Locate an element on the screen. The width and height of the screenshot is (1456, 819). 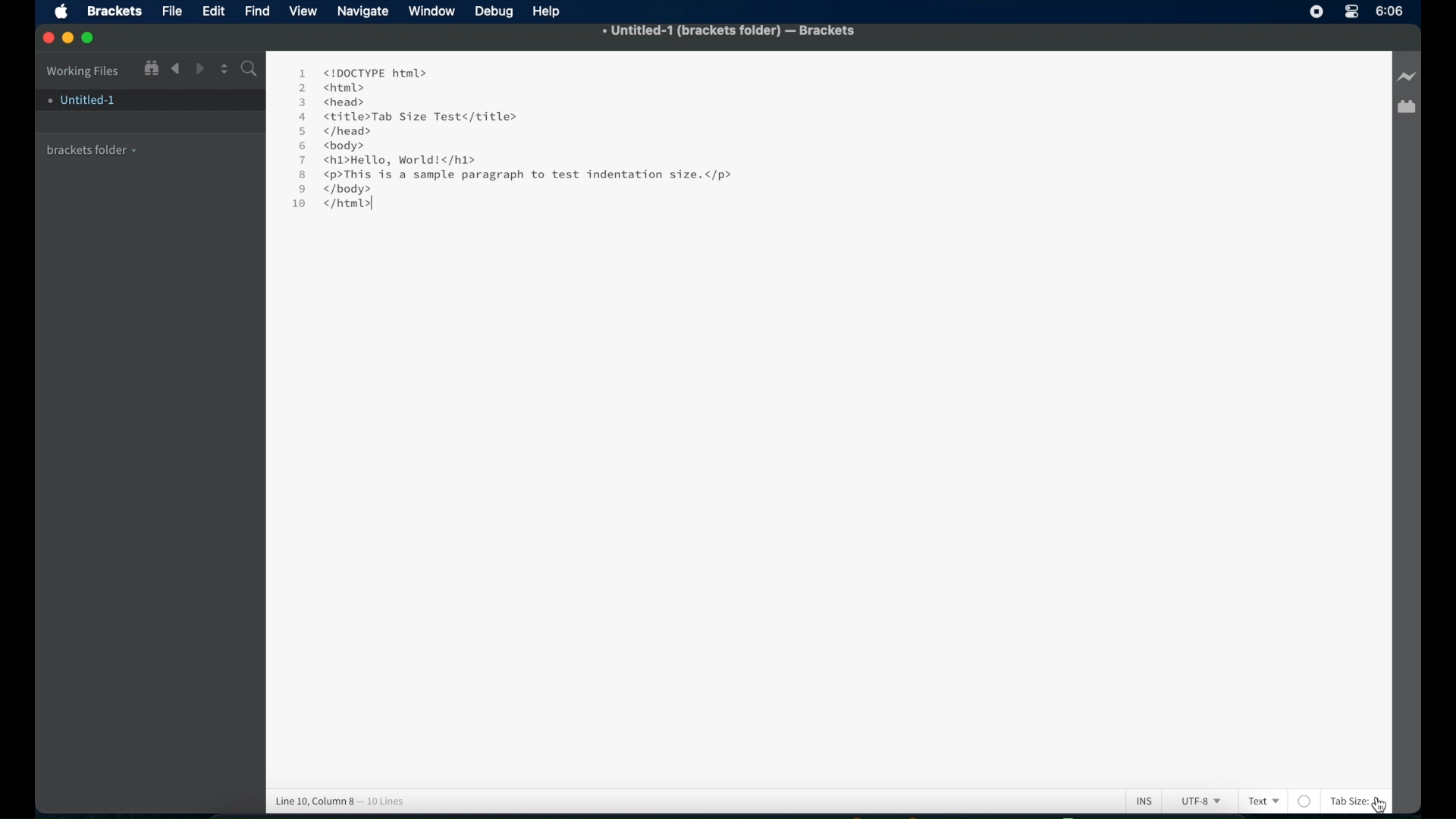
Icon is located at coordinates (65, 13).